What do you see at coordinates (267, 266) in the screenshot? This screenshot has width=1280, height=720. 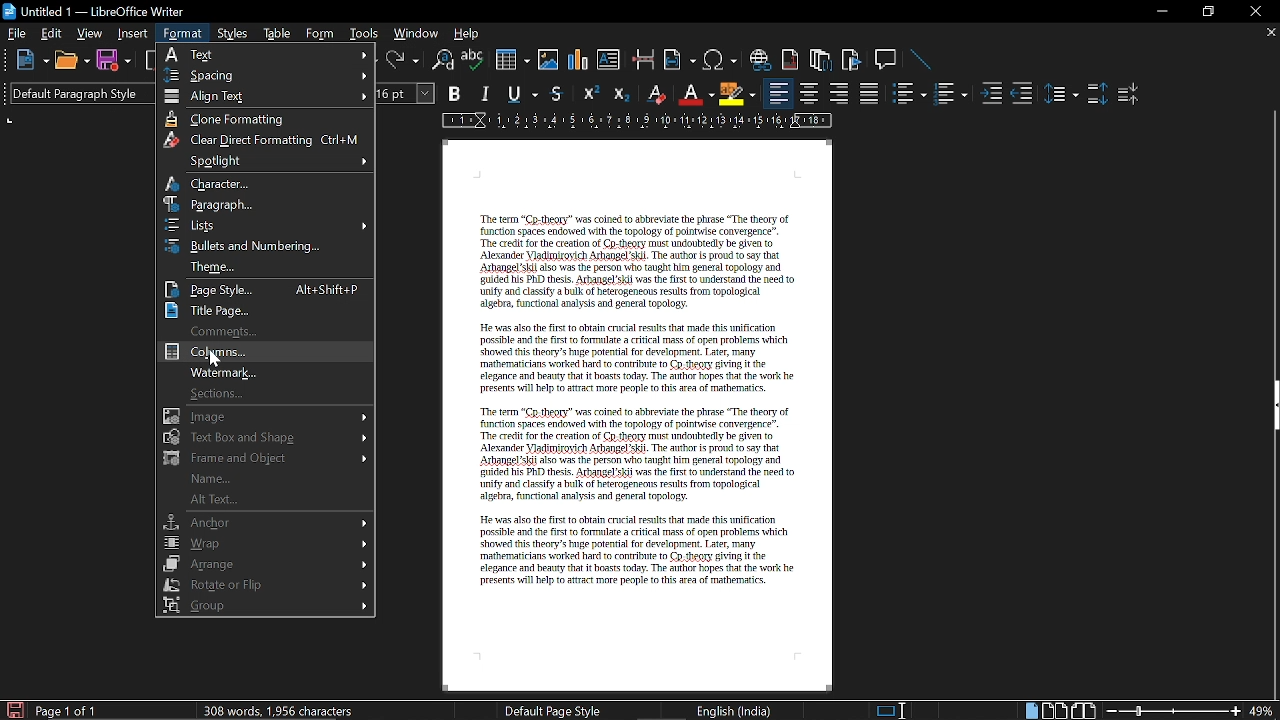 I see `Theme` at bounding box center [267, 266].